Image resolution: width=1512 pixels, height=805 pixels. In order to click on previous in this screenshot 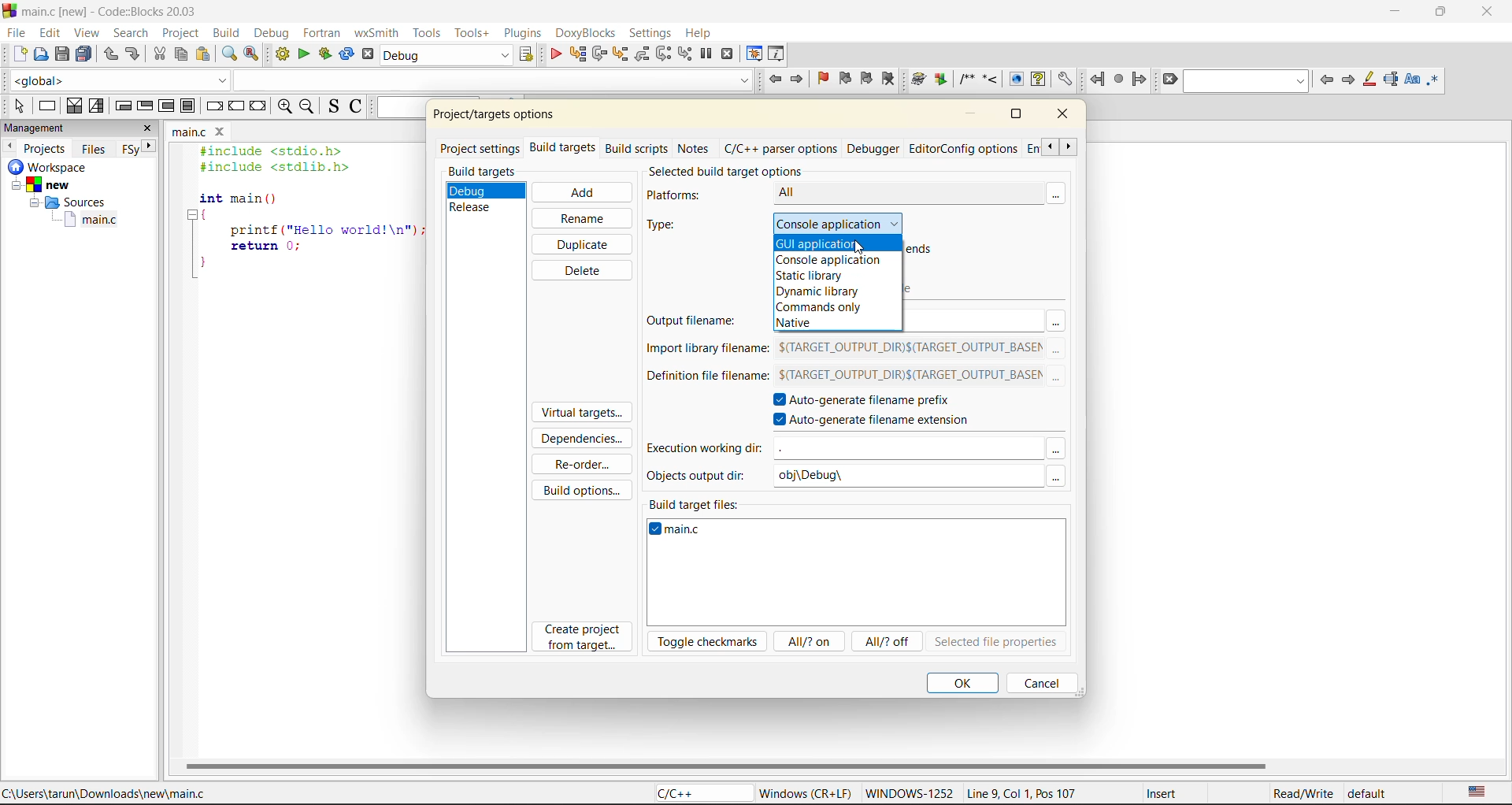, I will do `click(1326, 81)`.